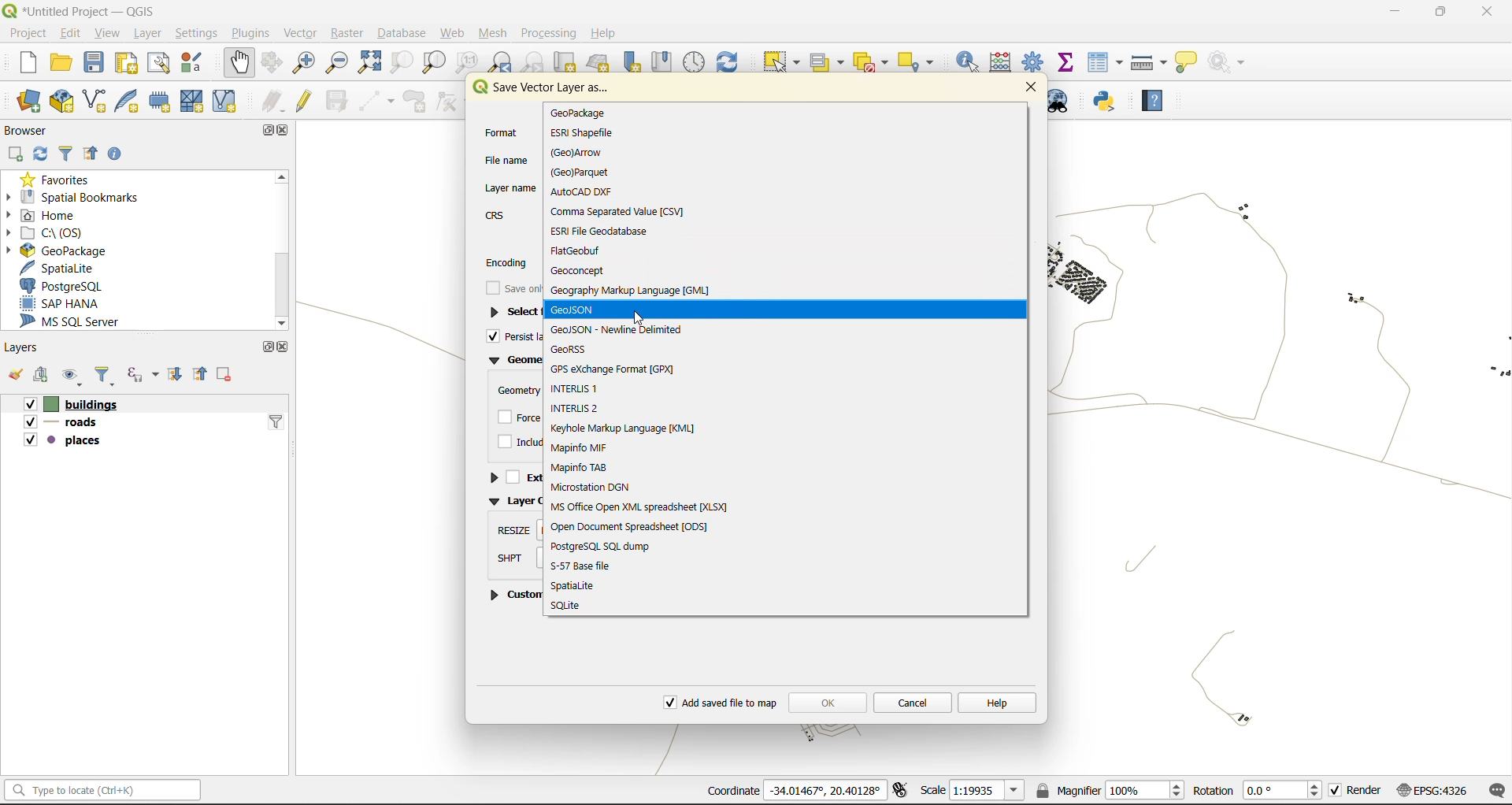 Image resolution: width=1512 pixels, height=805 pixels. Describe the element at coordinates (569, 606) in the screenshot. I see `sql lite` at that location.